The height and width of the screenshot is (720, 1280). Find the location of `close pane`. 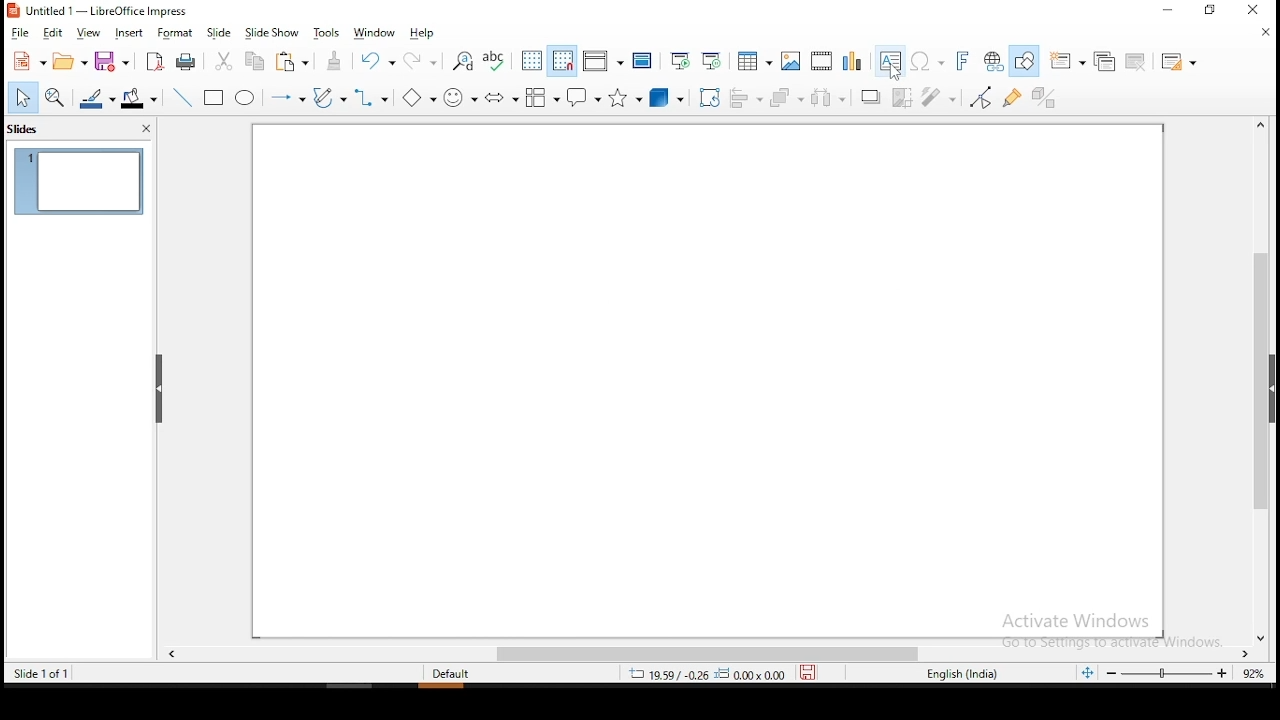

close pane is located at coordinates (149, 128).